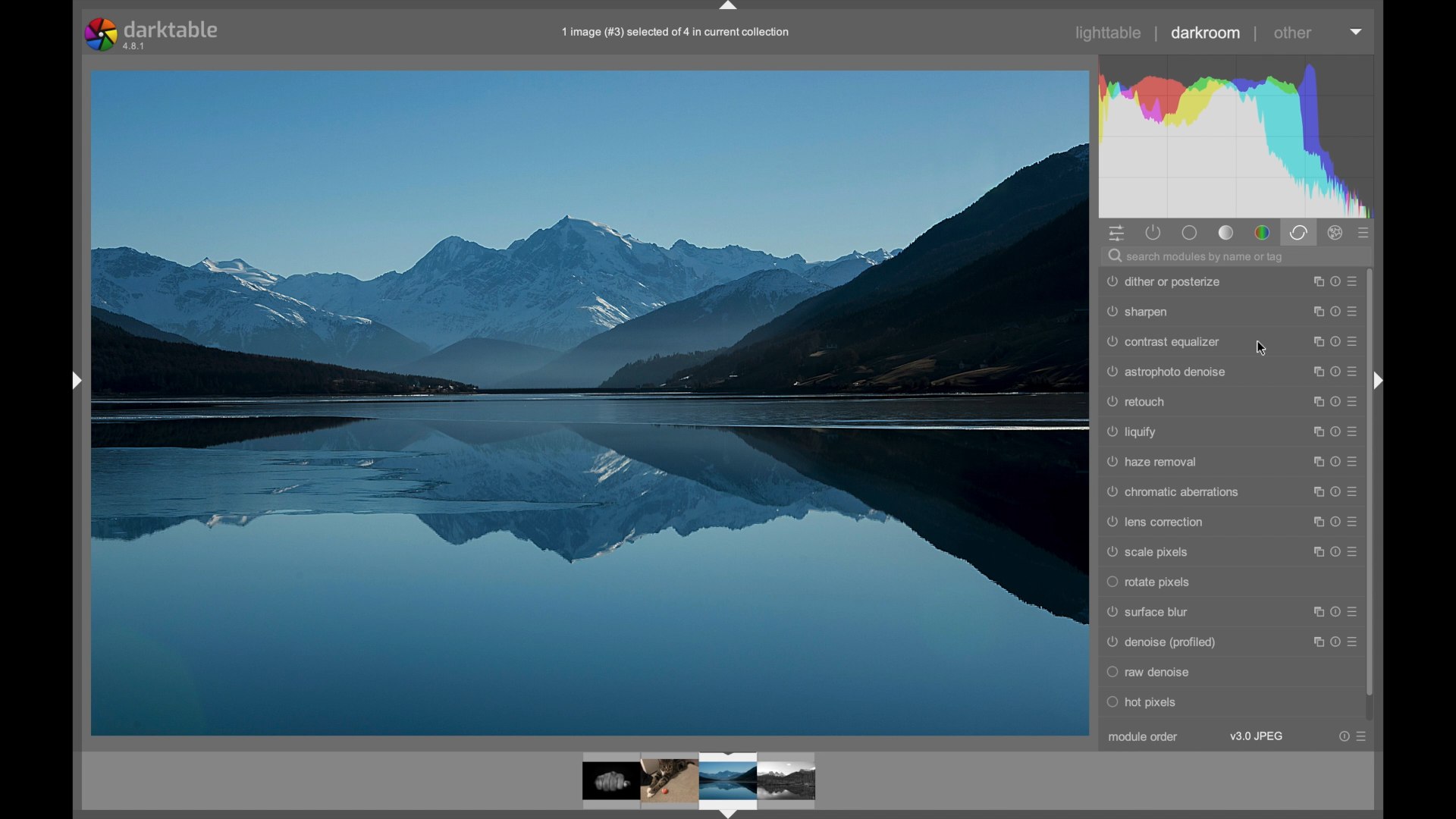 This screenshot has height=819, width=1456. I want to click on surface blur, so click(1150, 612).